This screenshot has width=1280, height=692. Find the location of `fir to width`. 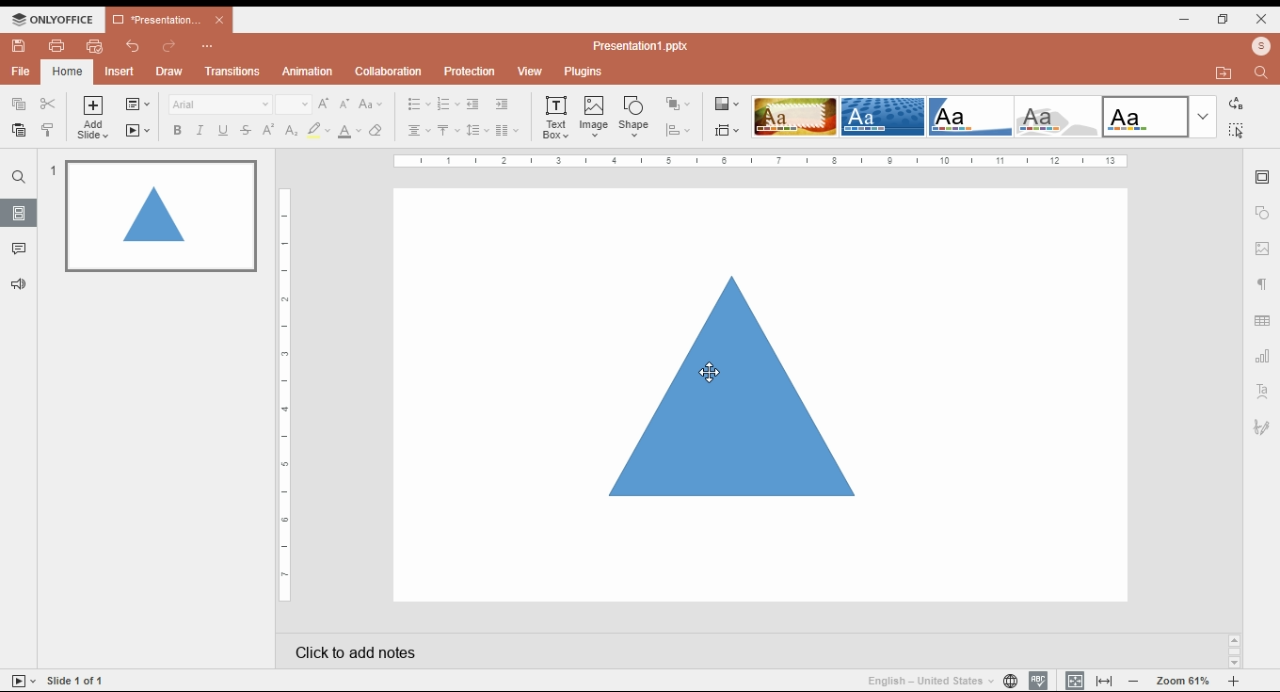

fir to width is located at coordinates (1104, 681).